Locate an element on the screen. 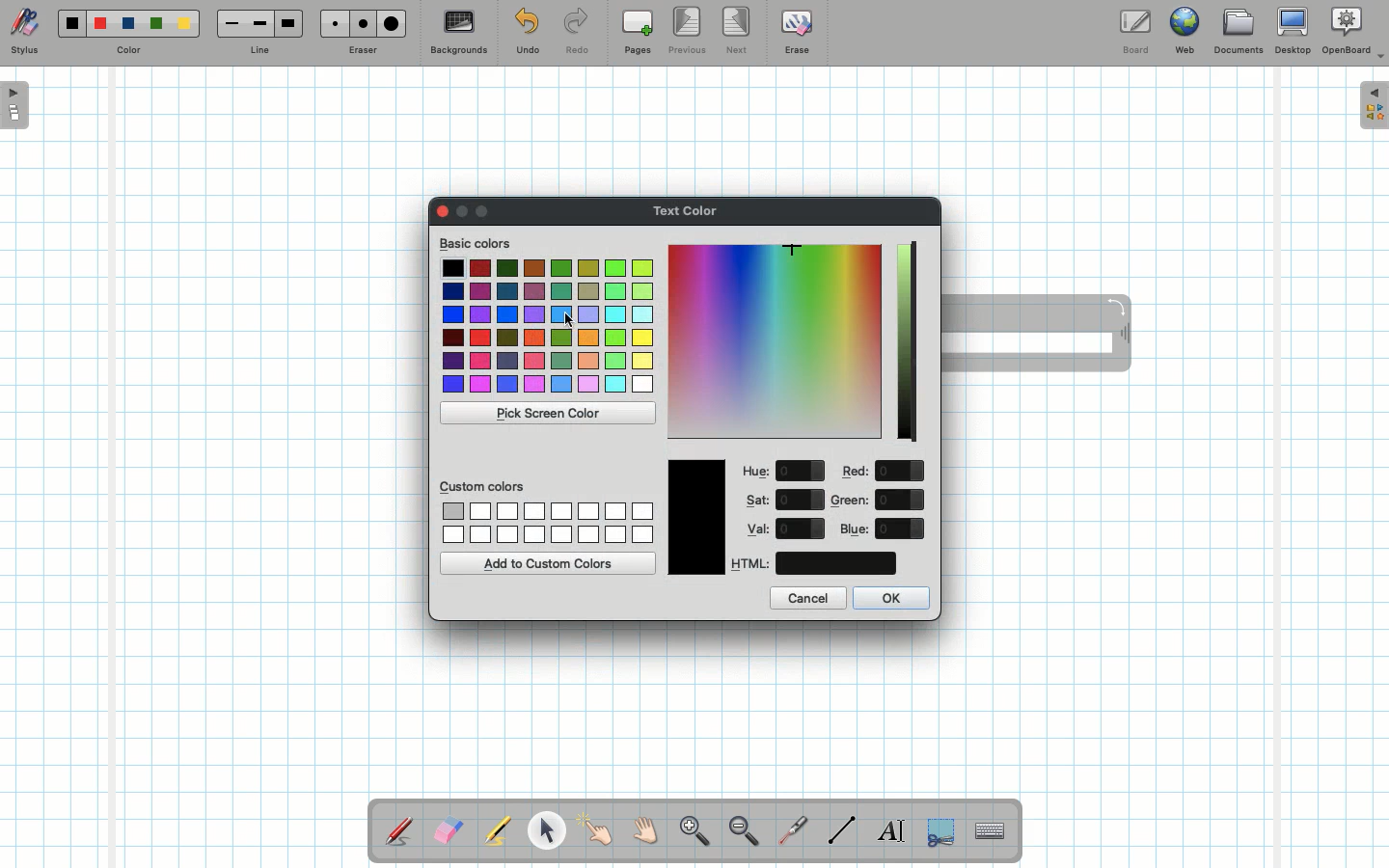  Rotate is located at coordinates (1116, 306).